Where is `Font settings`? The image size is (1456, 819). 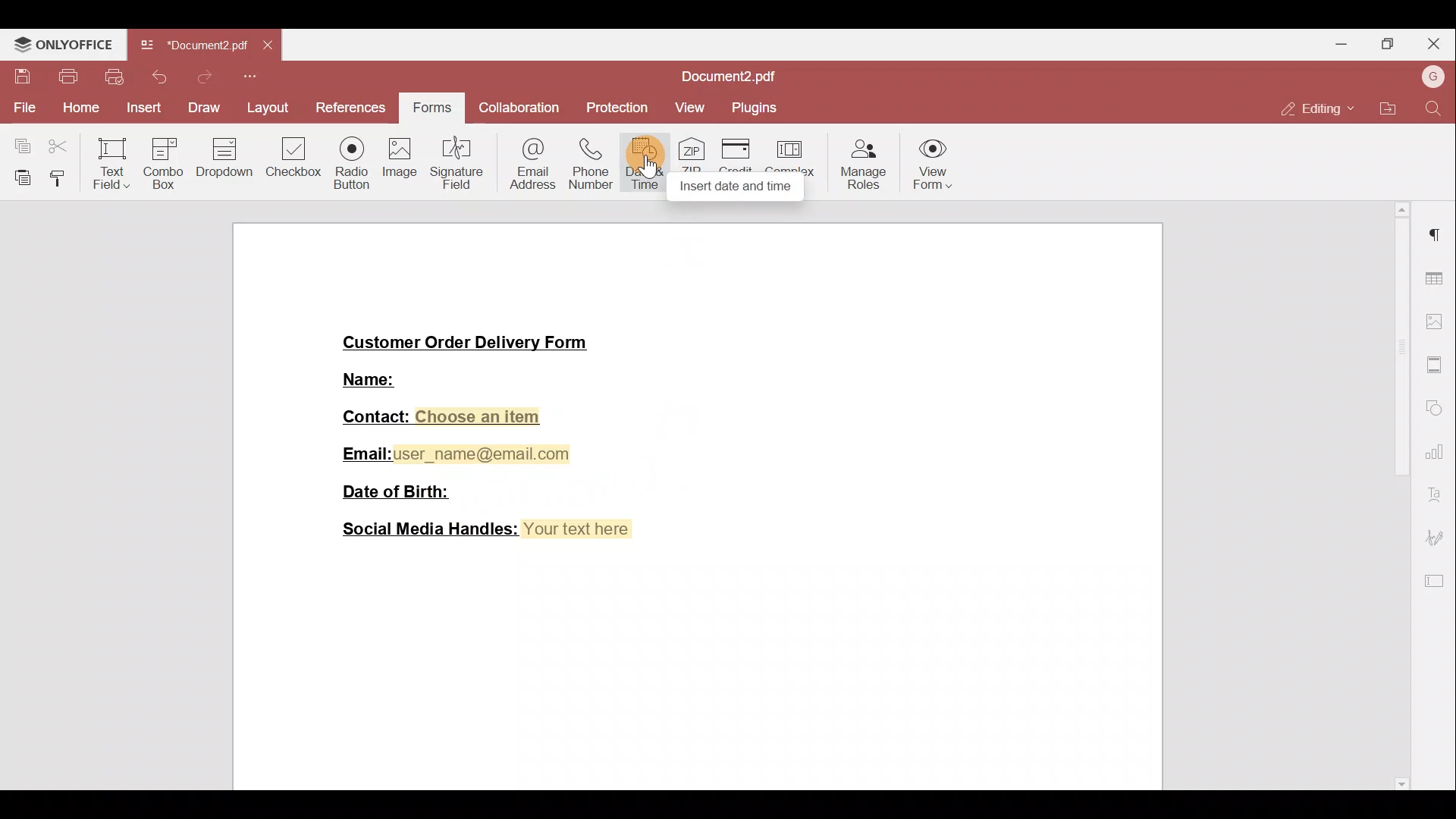
Font settings is located at coordinates (1436, 496).